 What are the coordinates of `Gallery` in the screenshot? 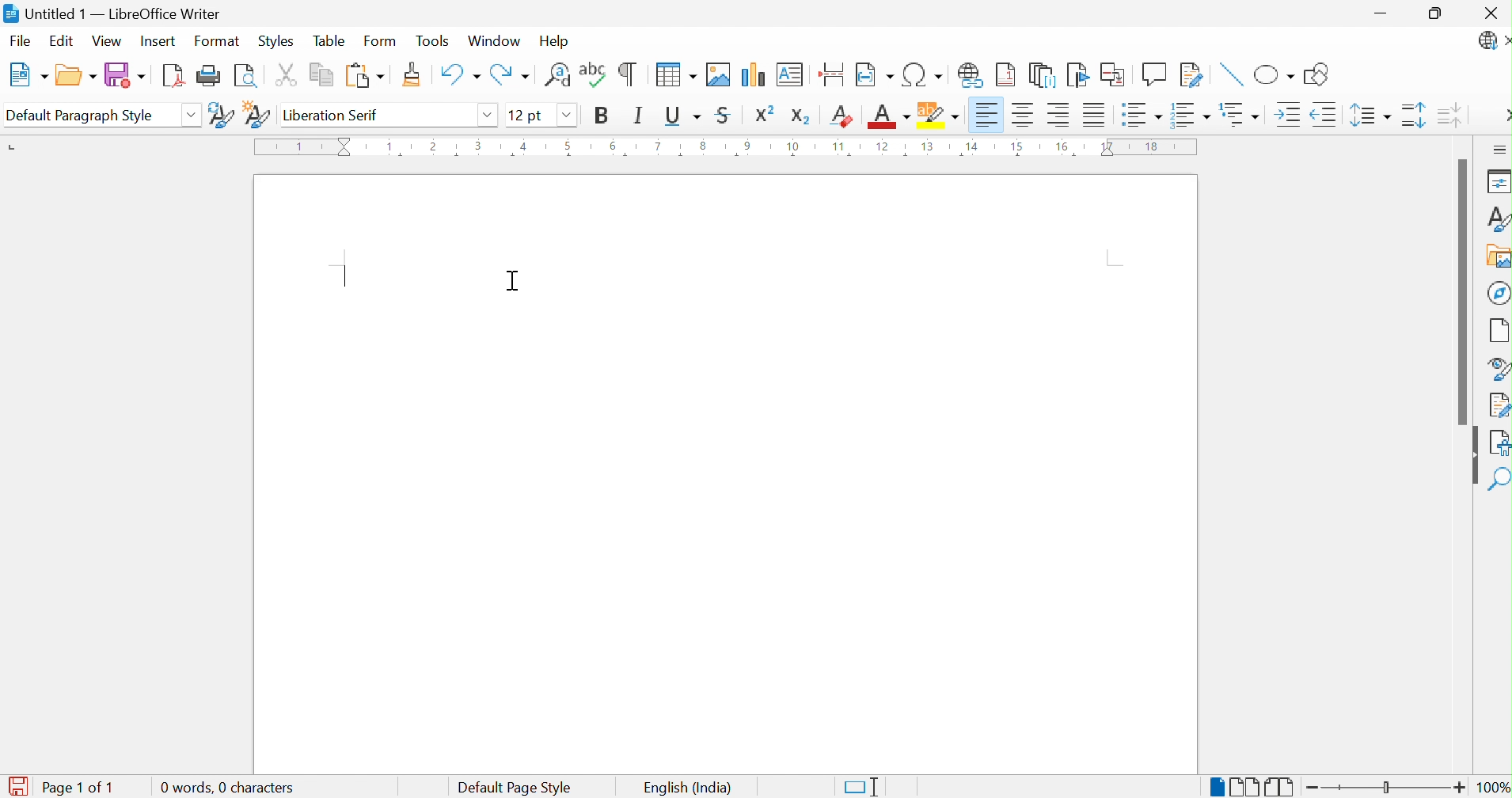 It's located at (1495, 255).